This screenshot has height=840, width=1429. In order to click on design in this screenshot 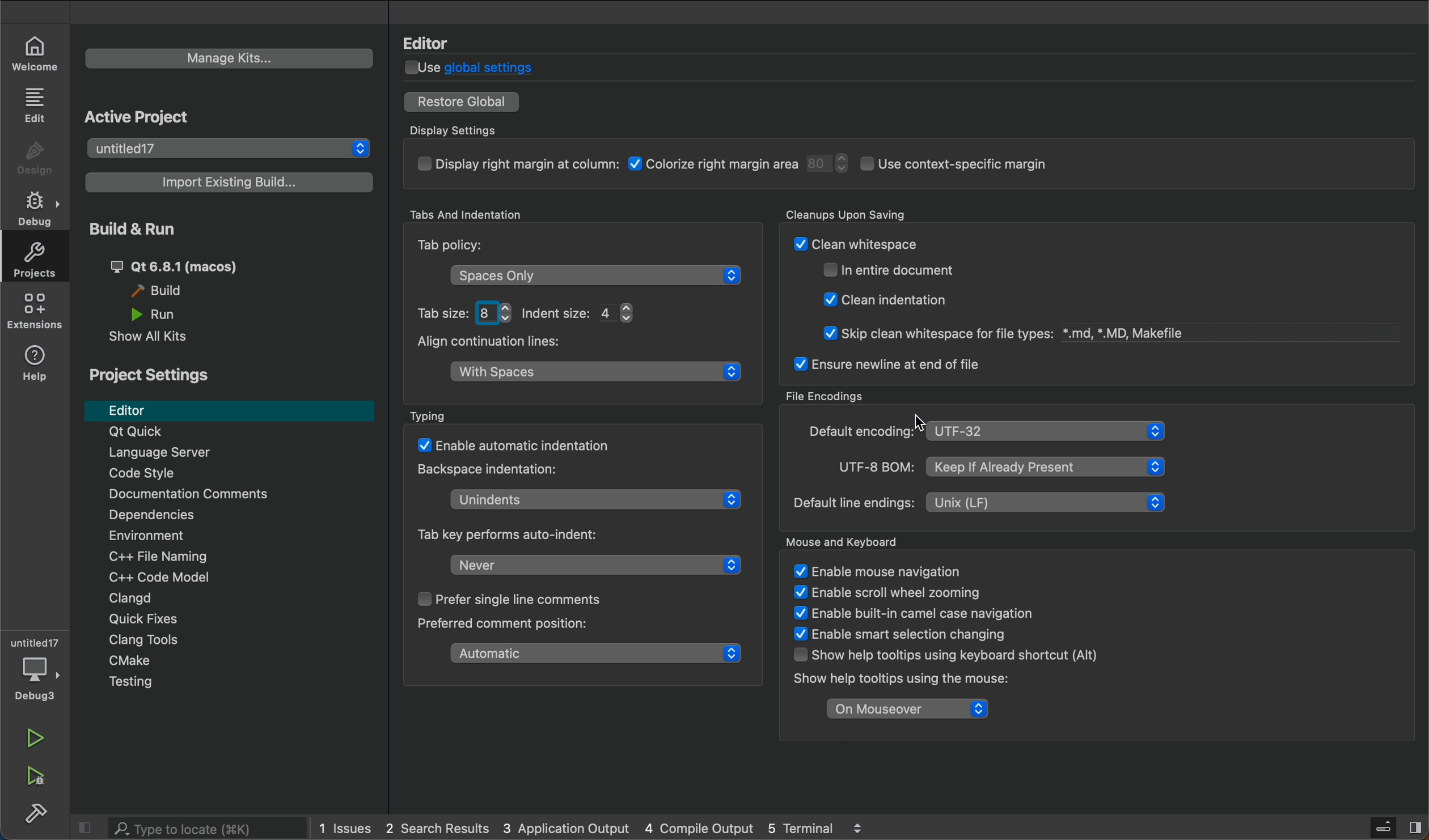, I will do `click(34, 159)`.